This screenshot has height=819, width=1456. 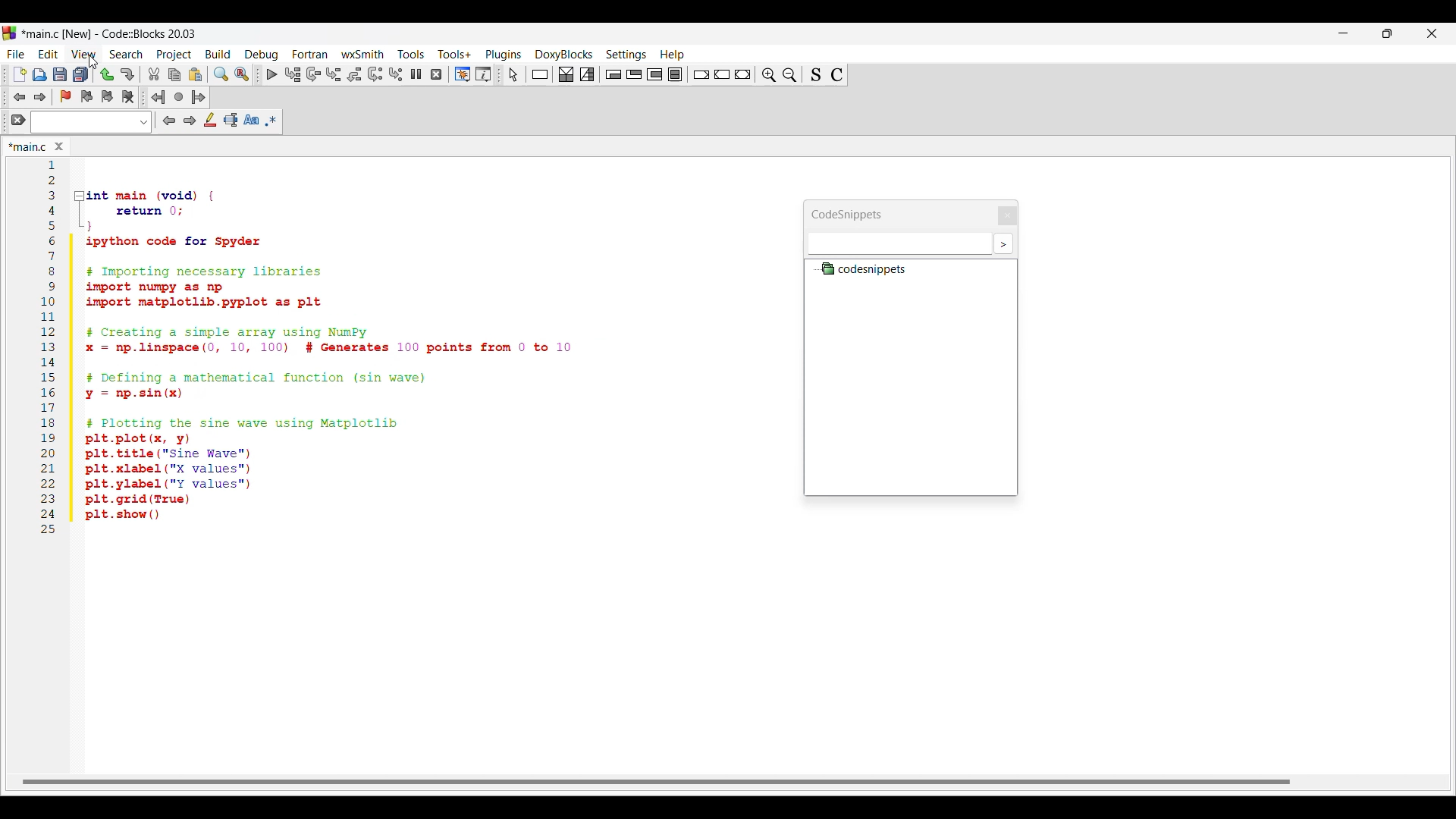 I want to click on Plugins menu, so click(x=504, y=55).